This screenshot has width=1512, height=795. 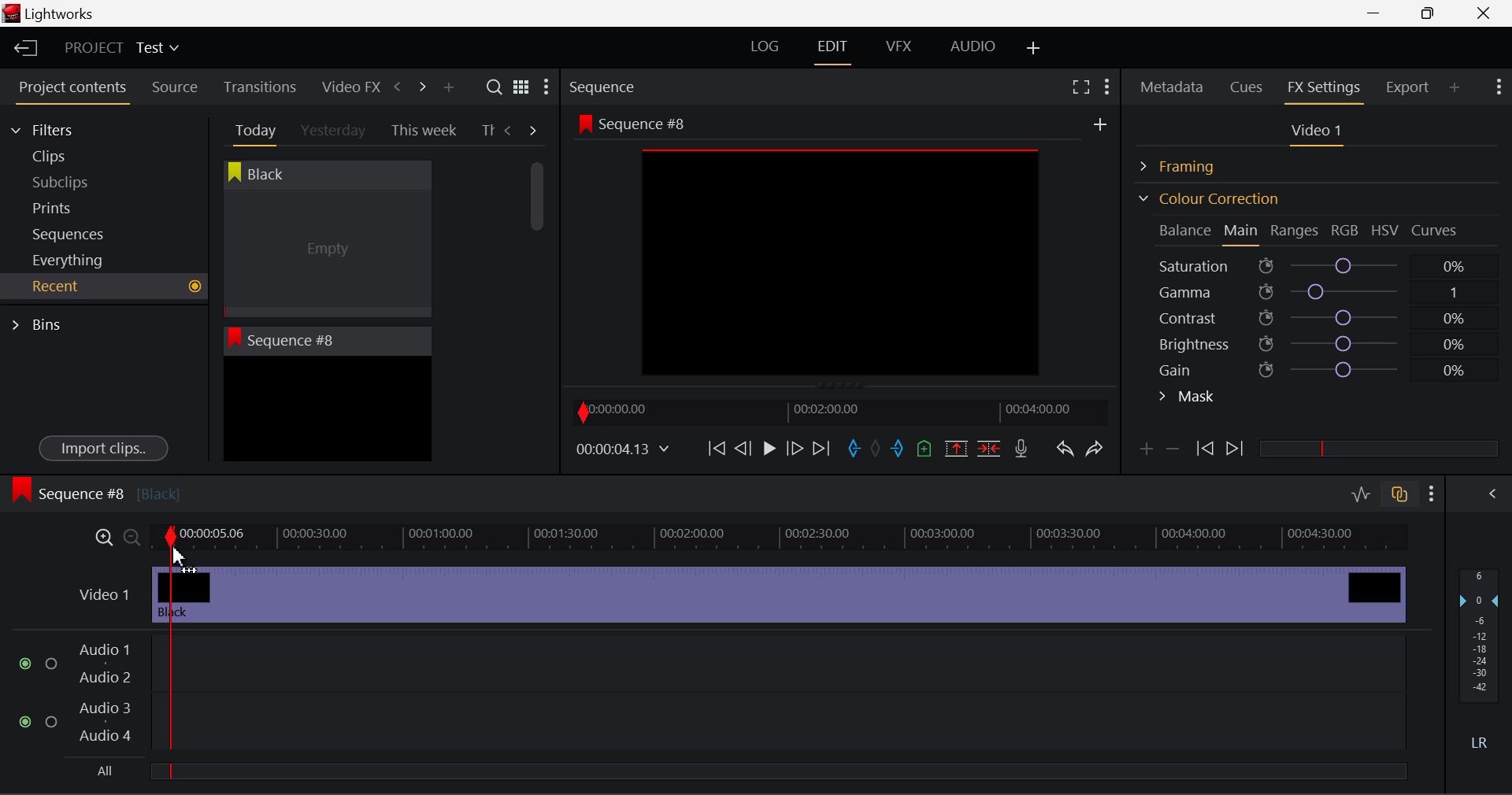 What do you see at coordinates (1432, 13) in the screenshot?
I see `Minimize` at bounding box center [1432, 13].